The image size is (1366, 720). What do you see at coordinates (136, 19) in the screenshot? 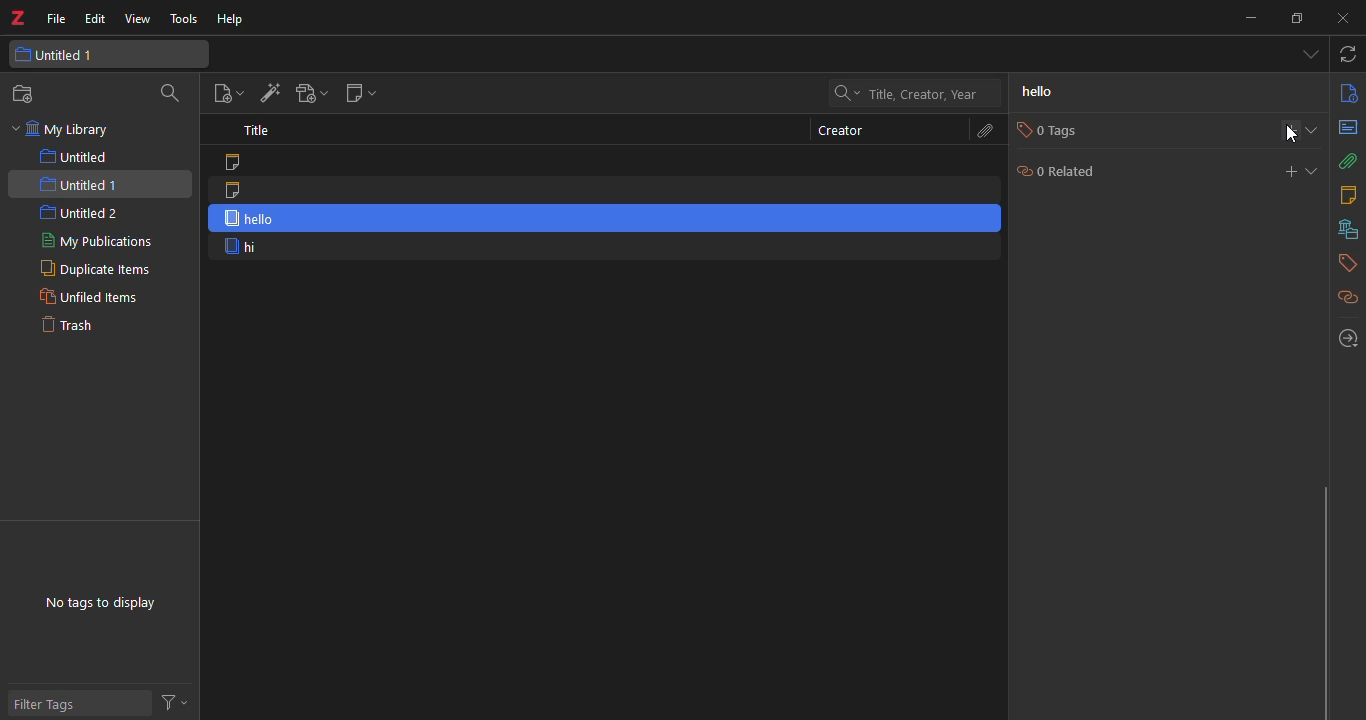
I see `view` at bounding box center [136, 19].